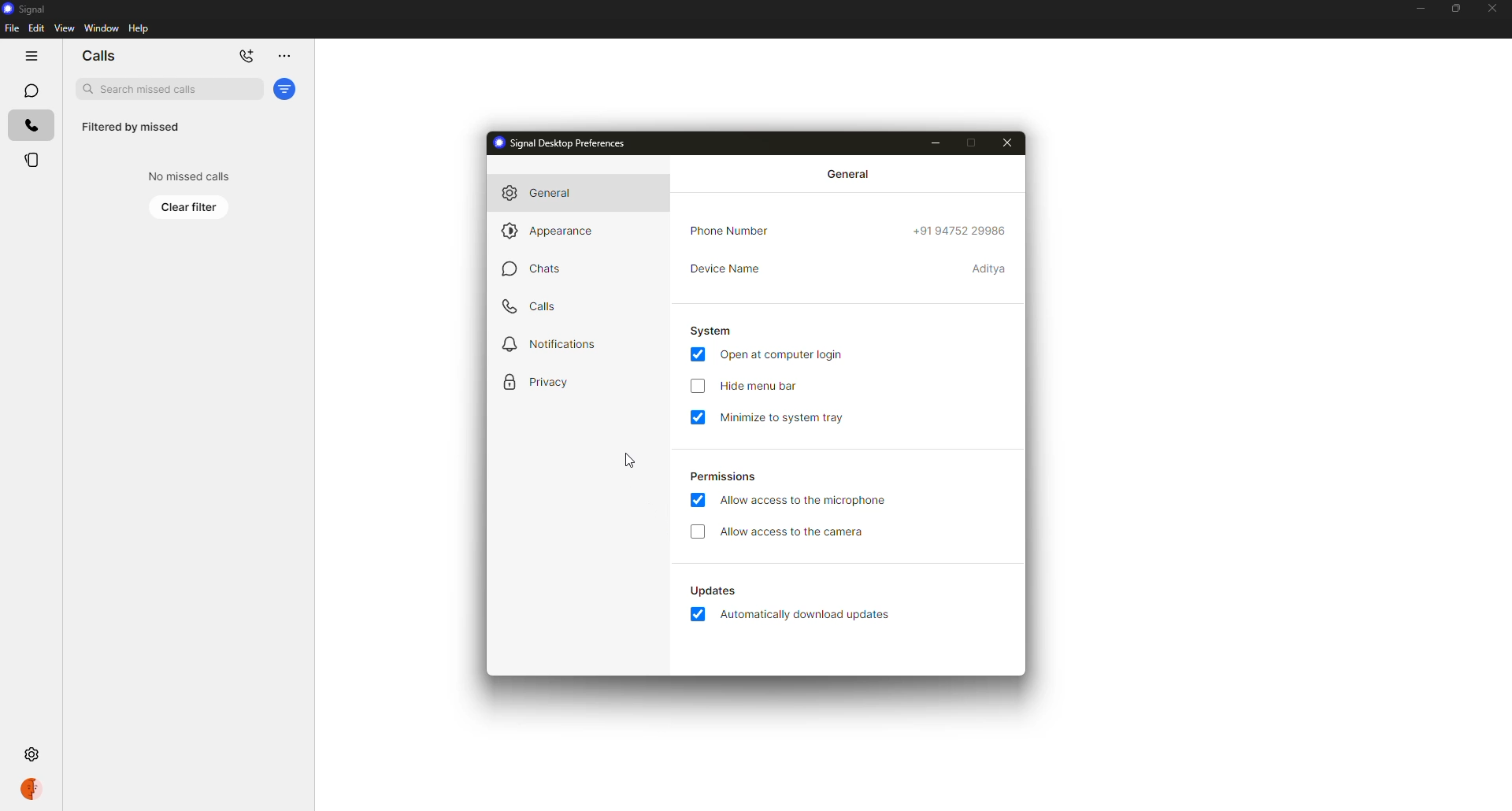 The image size is (1512, 811). Describe the element at coordinates (991, 268) in the screenshot. I see `device name` at that location.